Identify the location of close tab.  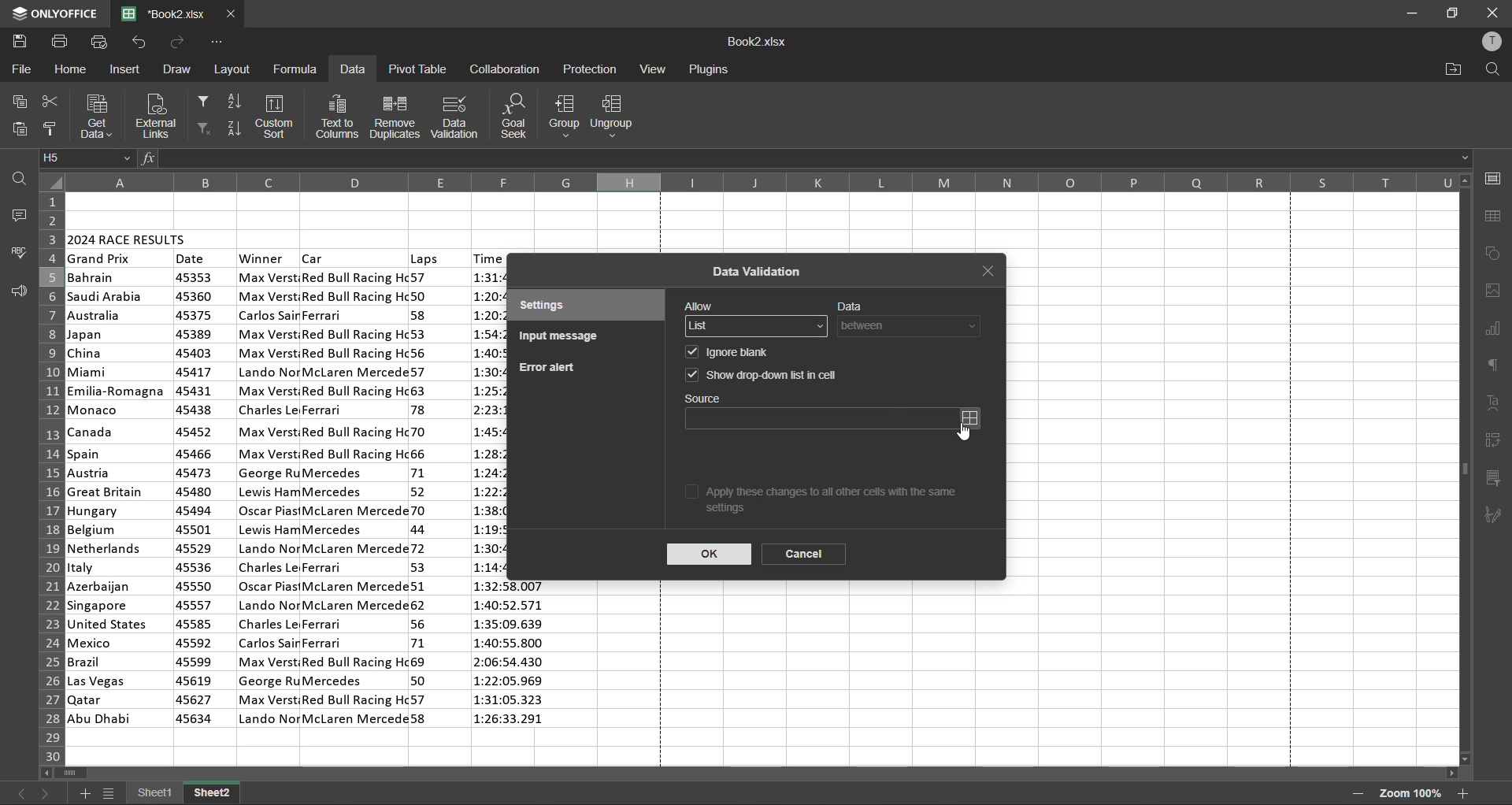
(992, 273).